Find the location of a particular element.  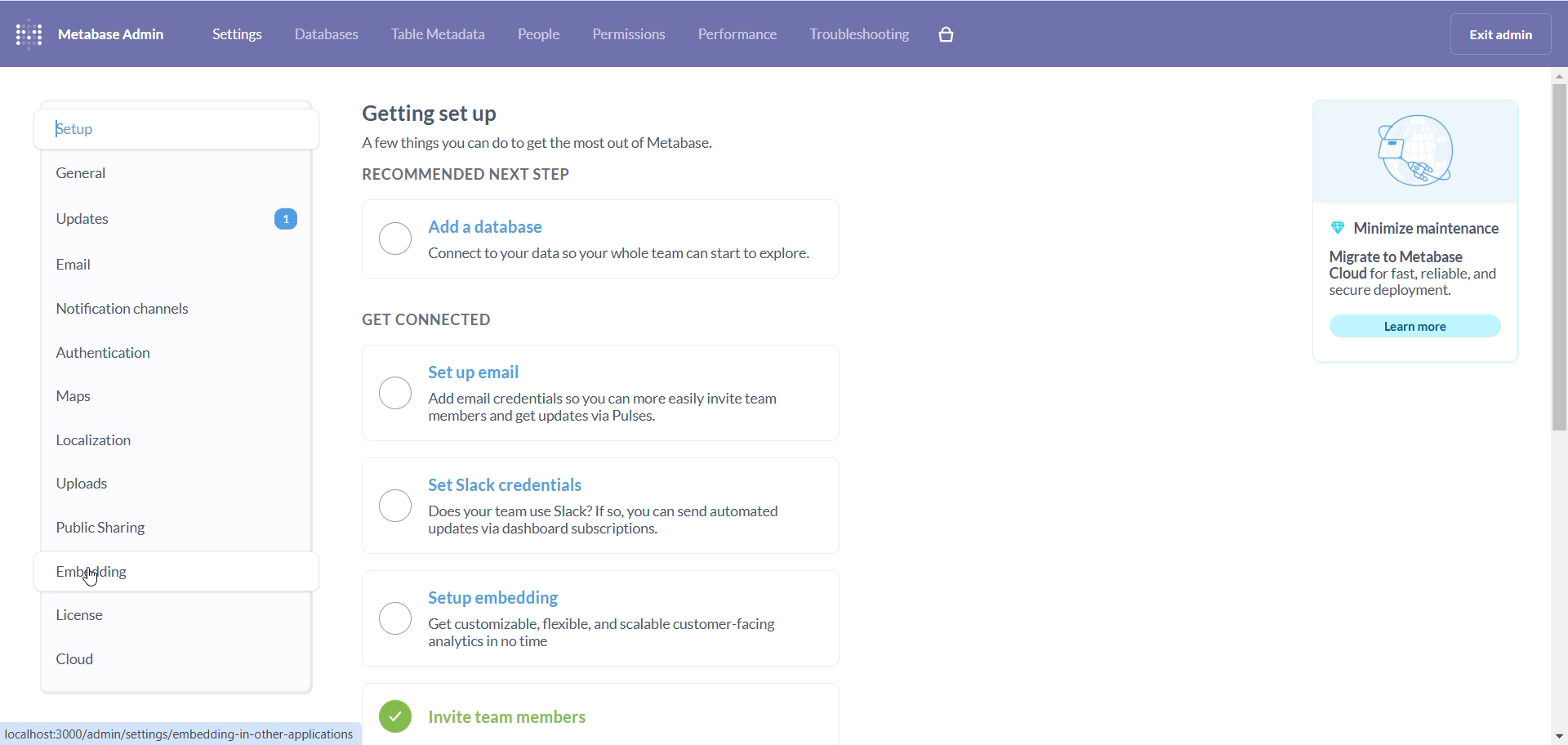

metabase admin is located at coordinates (114, 34).